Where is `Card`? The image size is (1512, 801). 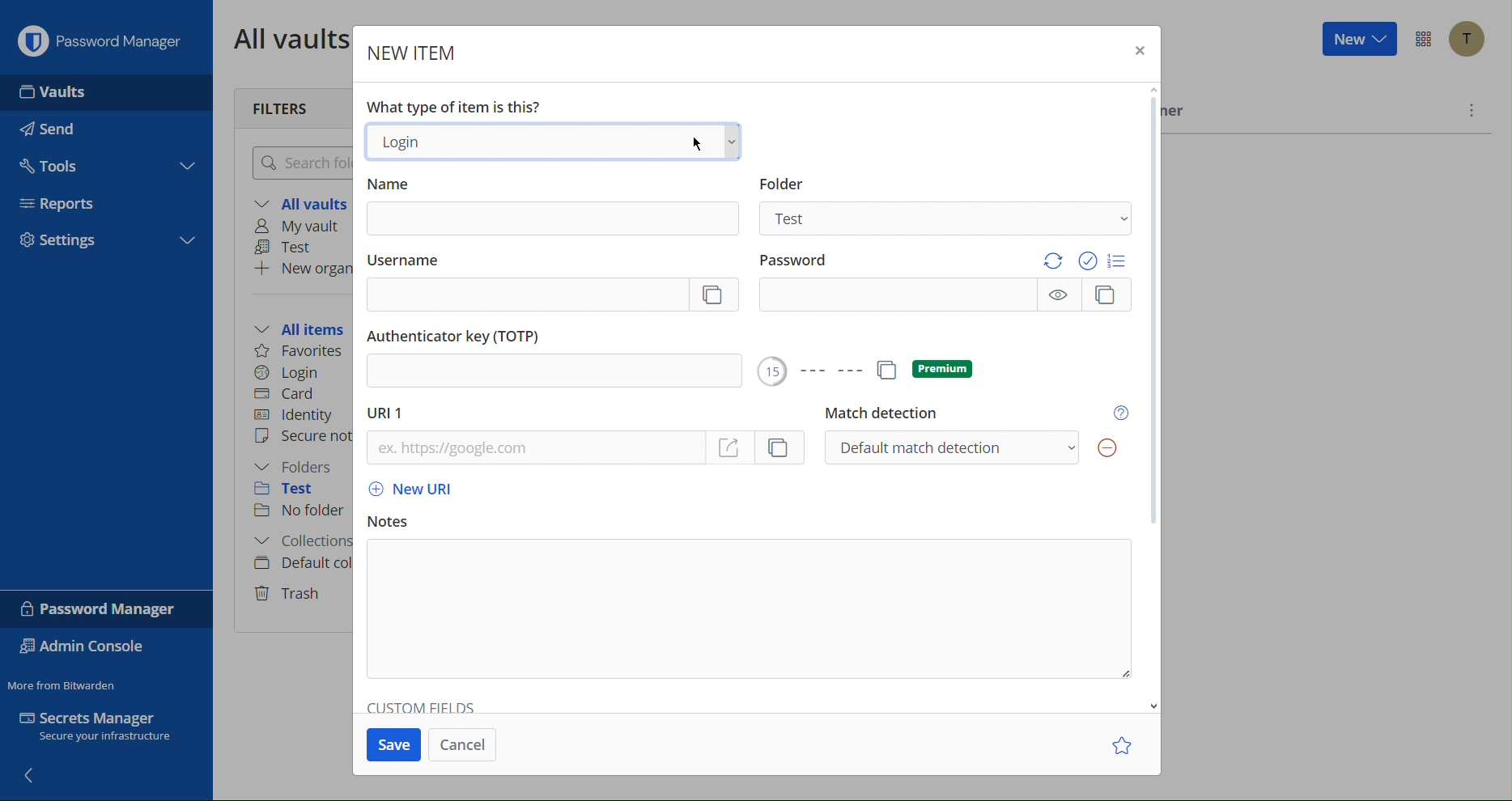 Card is located at coordinates (293, 396).